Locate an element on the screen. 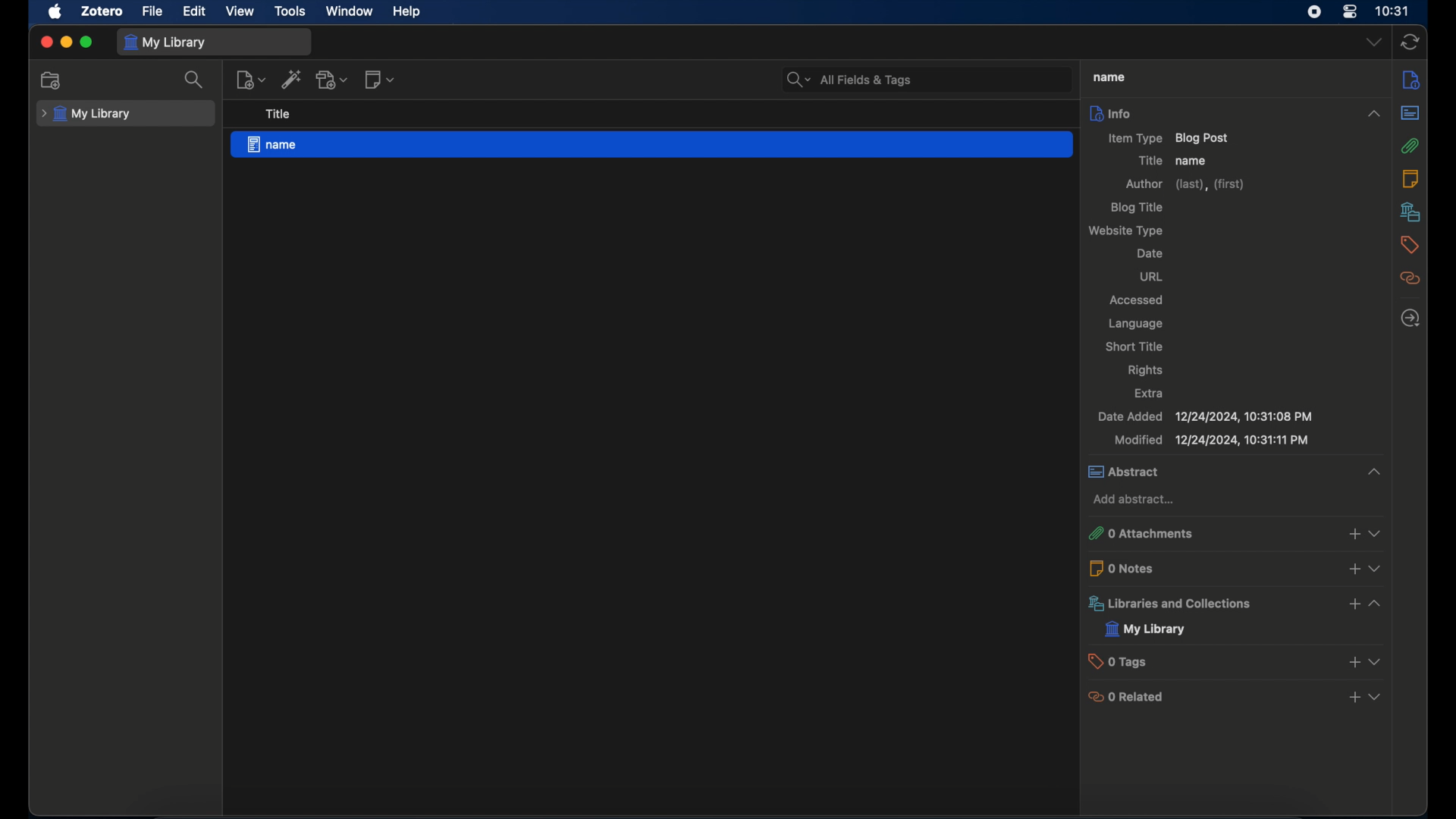  0 related is located at coordinates (1236, 696).